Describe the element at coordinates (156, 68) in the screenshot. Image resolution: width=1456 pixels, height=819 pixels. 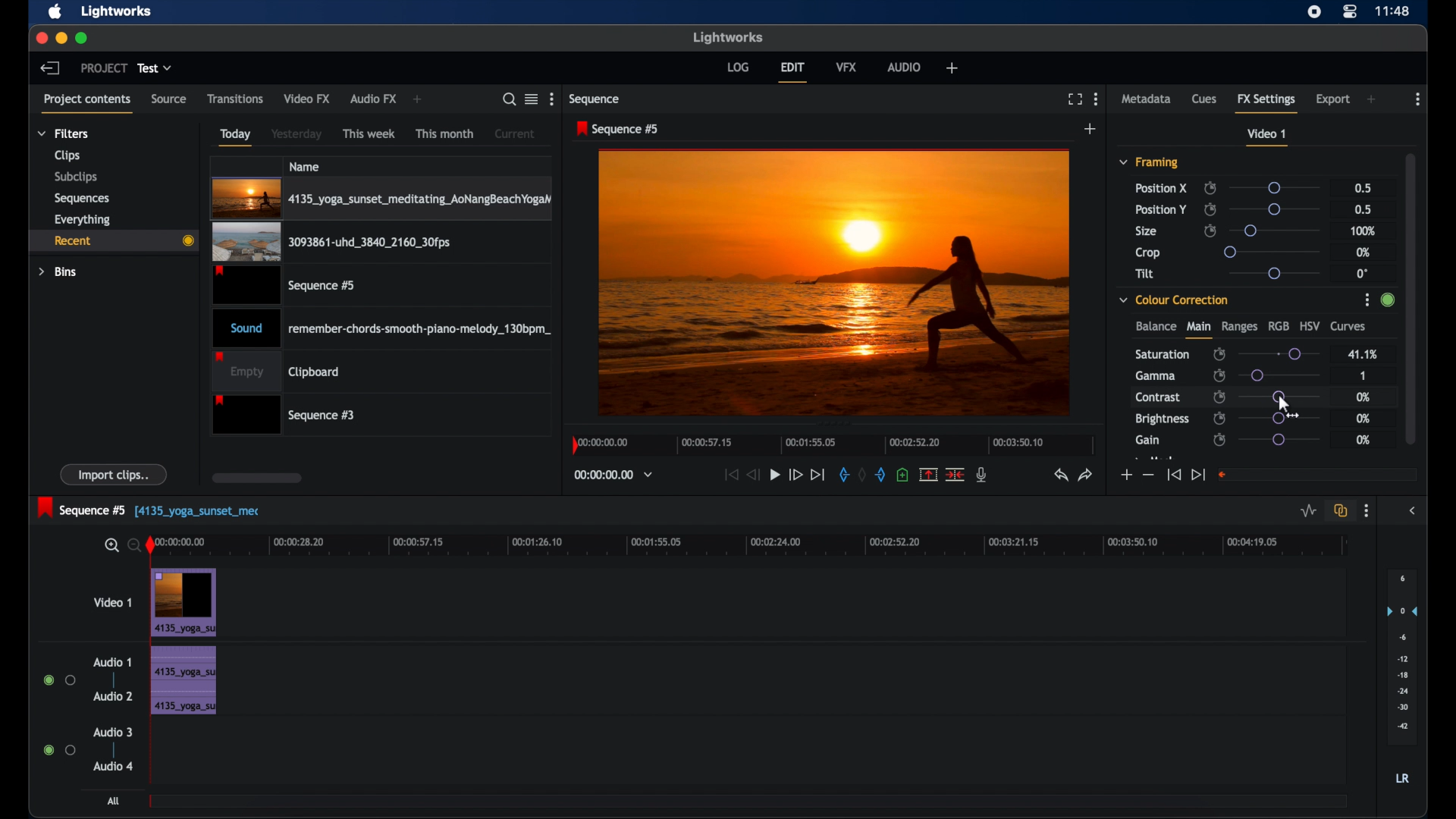
I see `test` at that location.